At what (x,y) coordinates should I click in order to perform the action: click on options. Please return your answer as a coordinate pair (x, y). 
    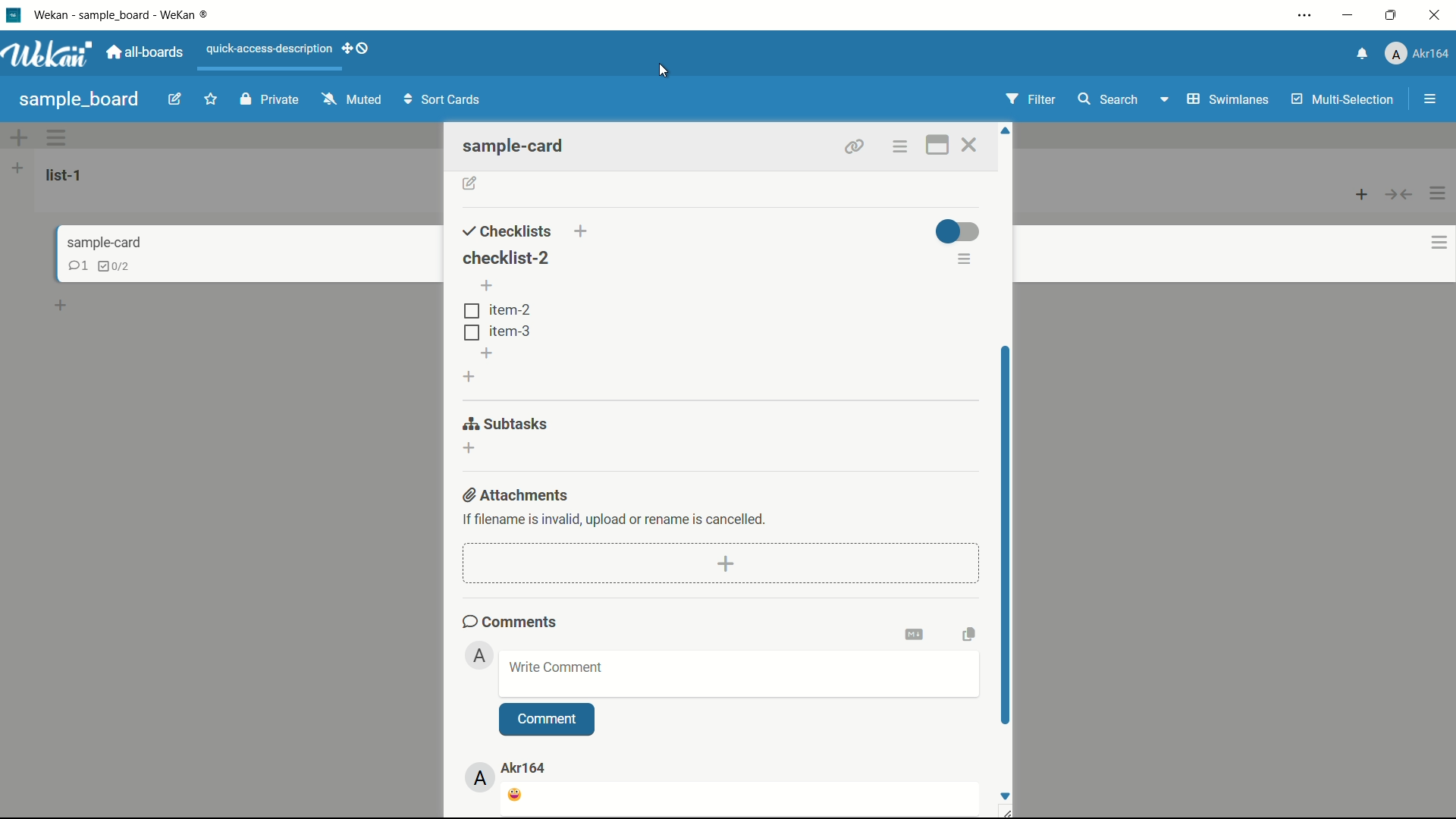
    Looking at the image, I should click on (901, 146).